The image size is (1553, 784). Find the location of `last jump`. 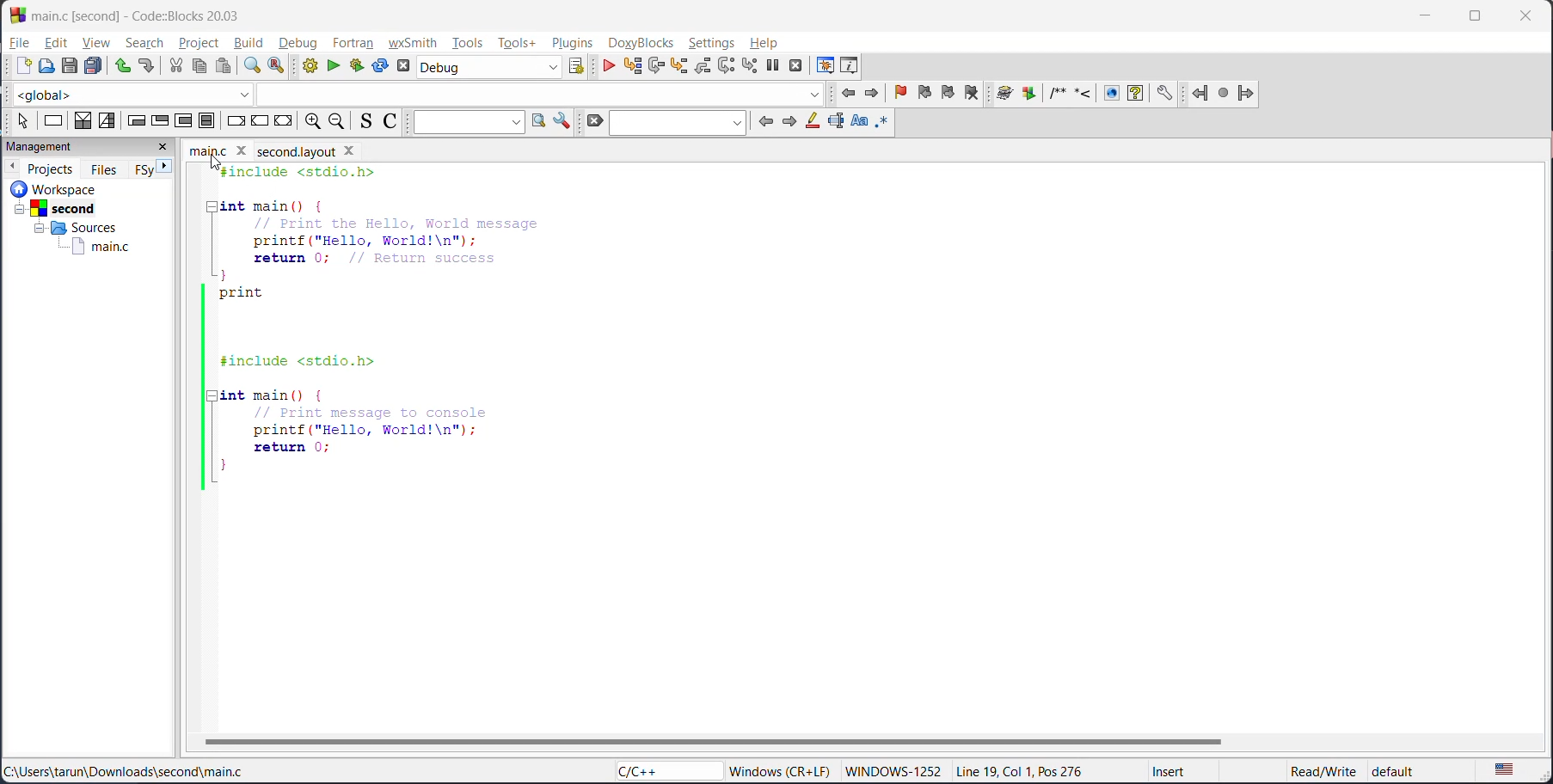

last jump is located at coordinates (1225, 89).